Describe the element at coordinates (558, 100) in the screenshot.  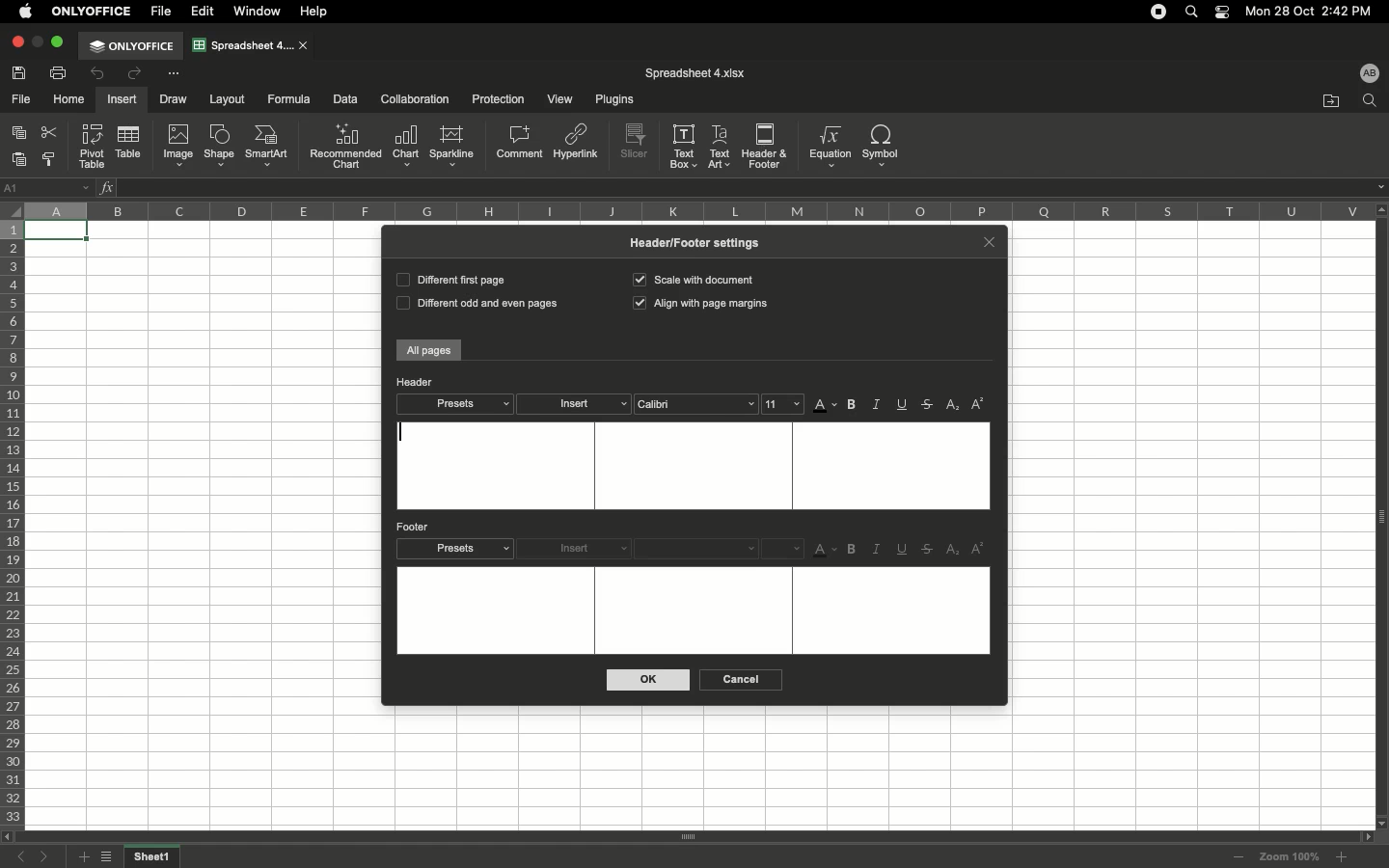
I see `View` at that location.